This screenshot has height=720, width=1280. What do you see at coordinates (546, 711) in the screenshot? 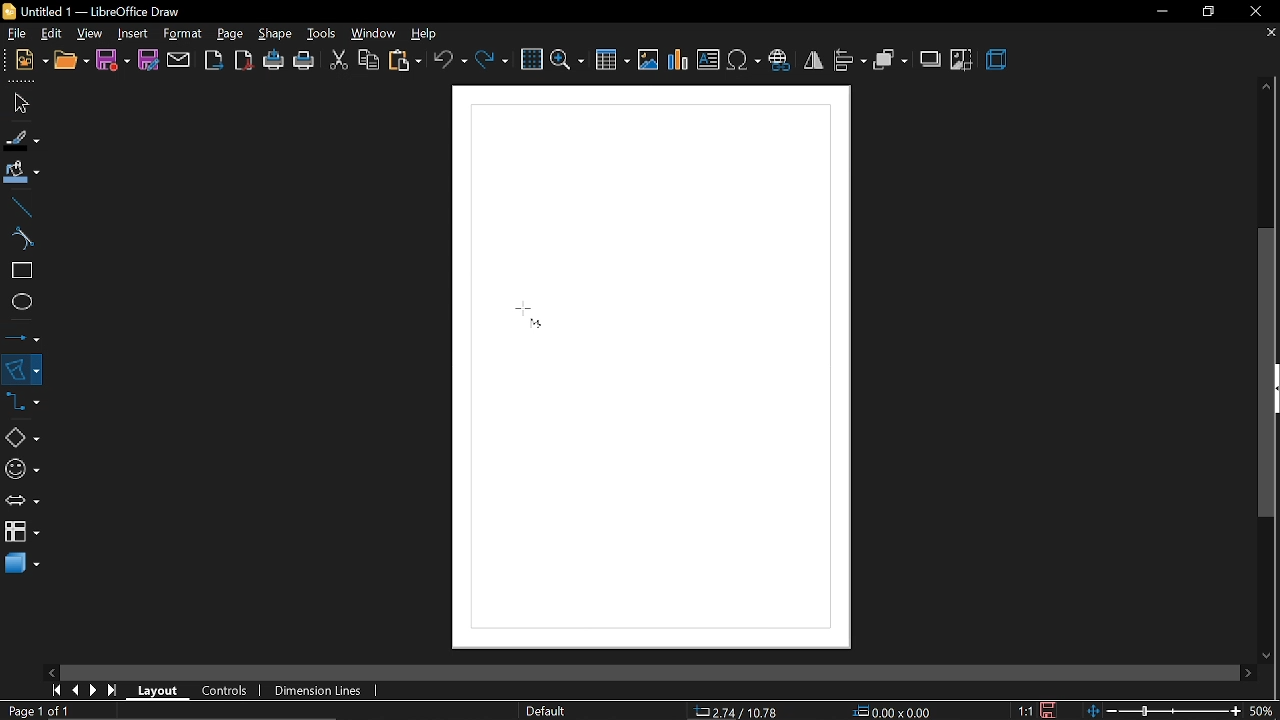
I see `page style` at bounding box center [546, 711].